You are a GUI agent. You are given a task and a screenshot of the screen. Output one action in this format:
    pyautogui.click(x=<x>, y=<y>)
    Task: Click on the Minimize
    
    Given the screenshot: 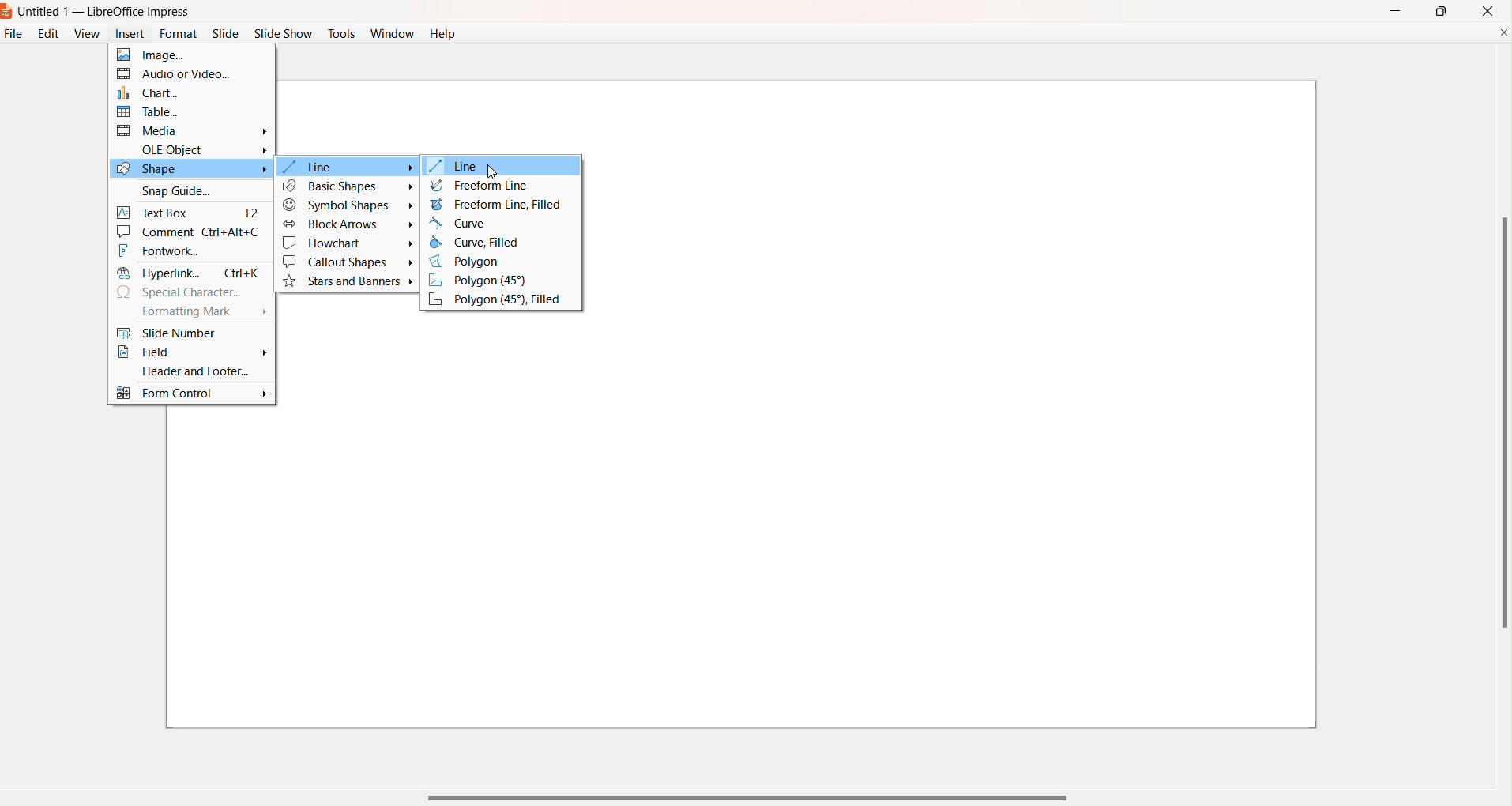 What is the action you would take?
    pyautogui.click(x=1394, y=9)
    